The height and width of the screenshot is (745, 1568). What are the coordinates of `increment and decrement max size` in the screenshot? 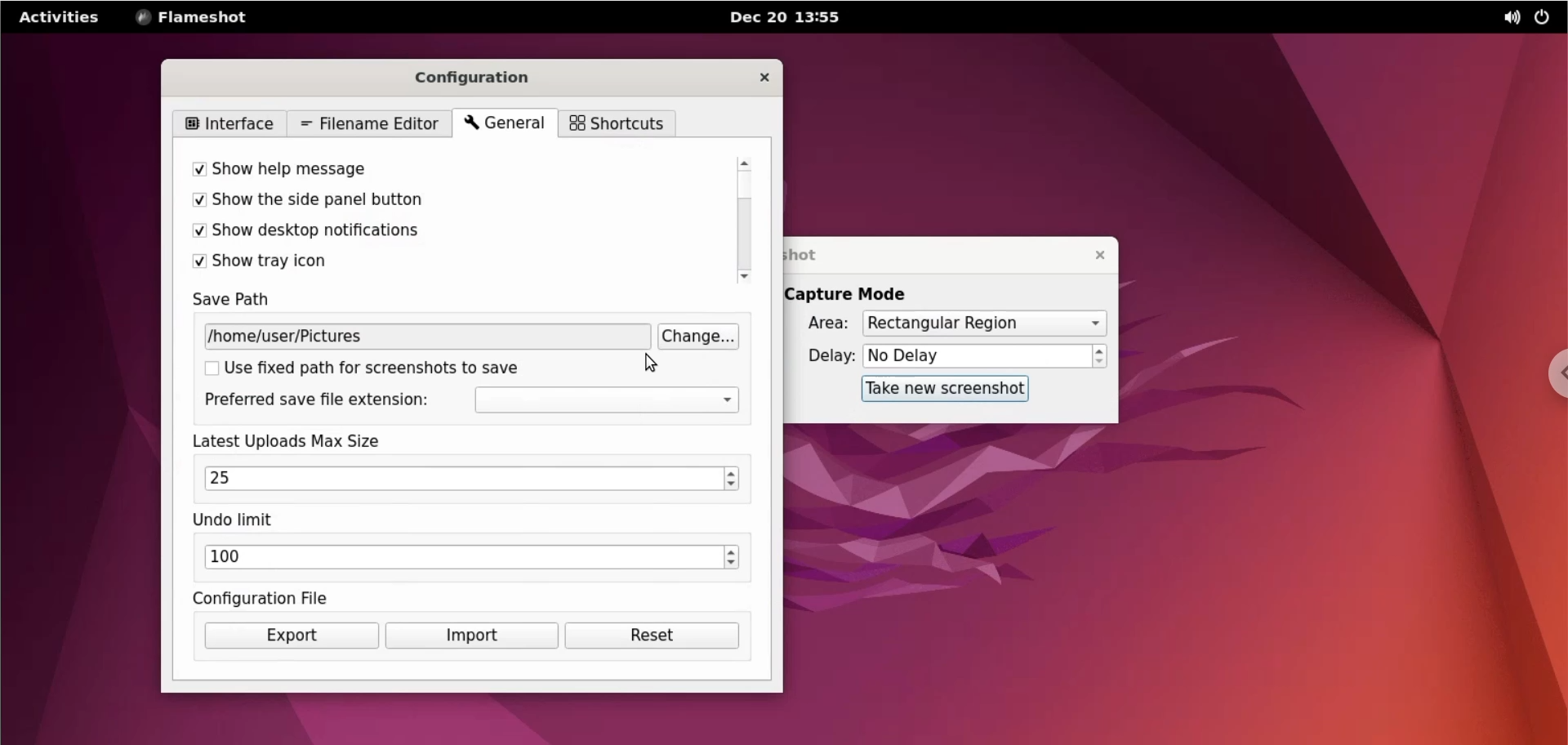 It's located at (733, 480).